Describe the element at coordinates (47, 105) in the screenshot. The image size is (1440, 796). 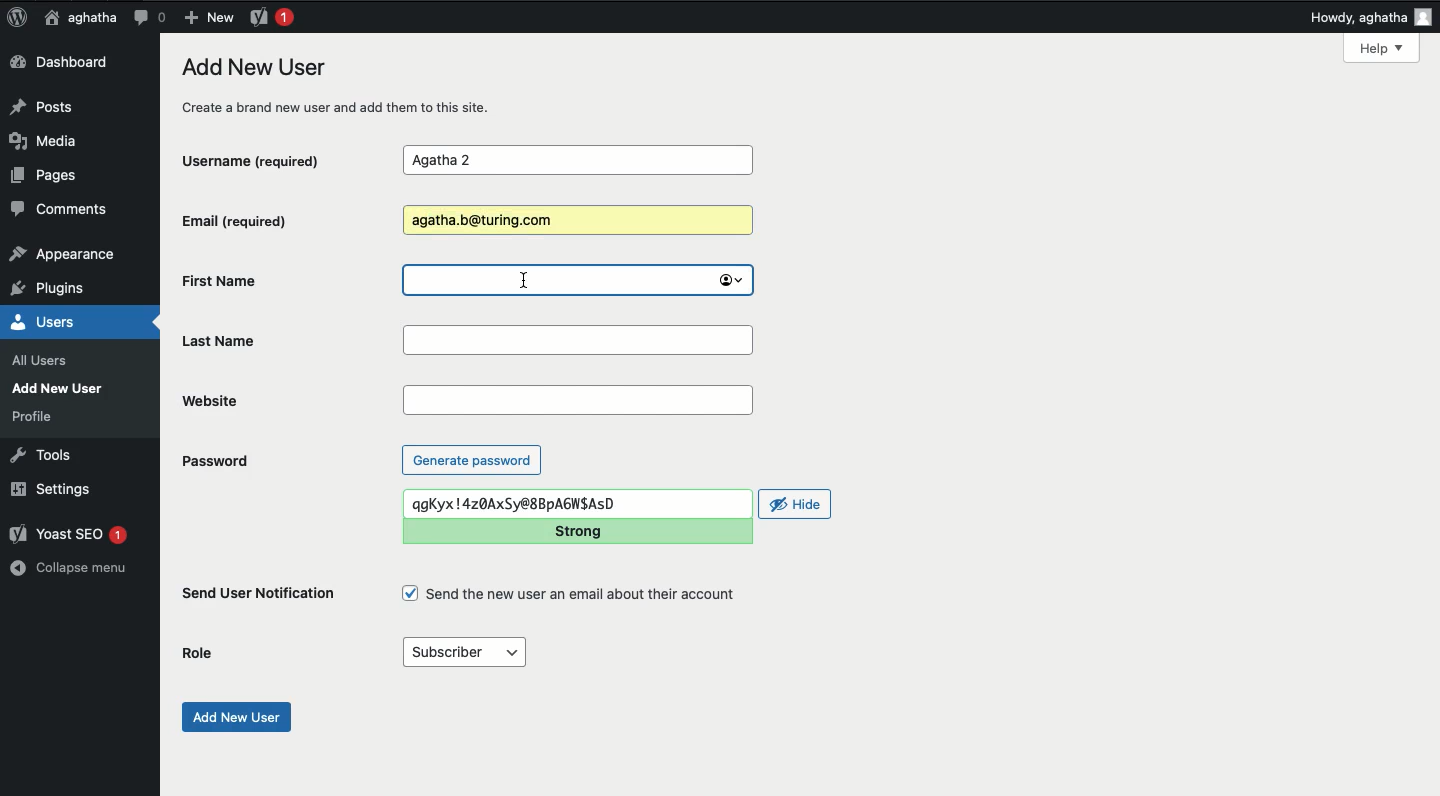
I see `Posts` at that location.